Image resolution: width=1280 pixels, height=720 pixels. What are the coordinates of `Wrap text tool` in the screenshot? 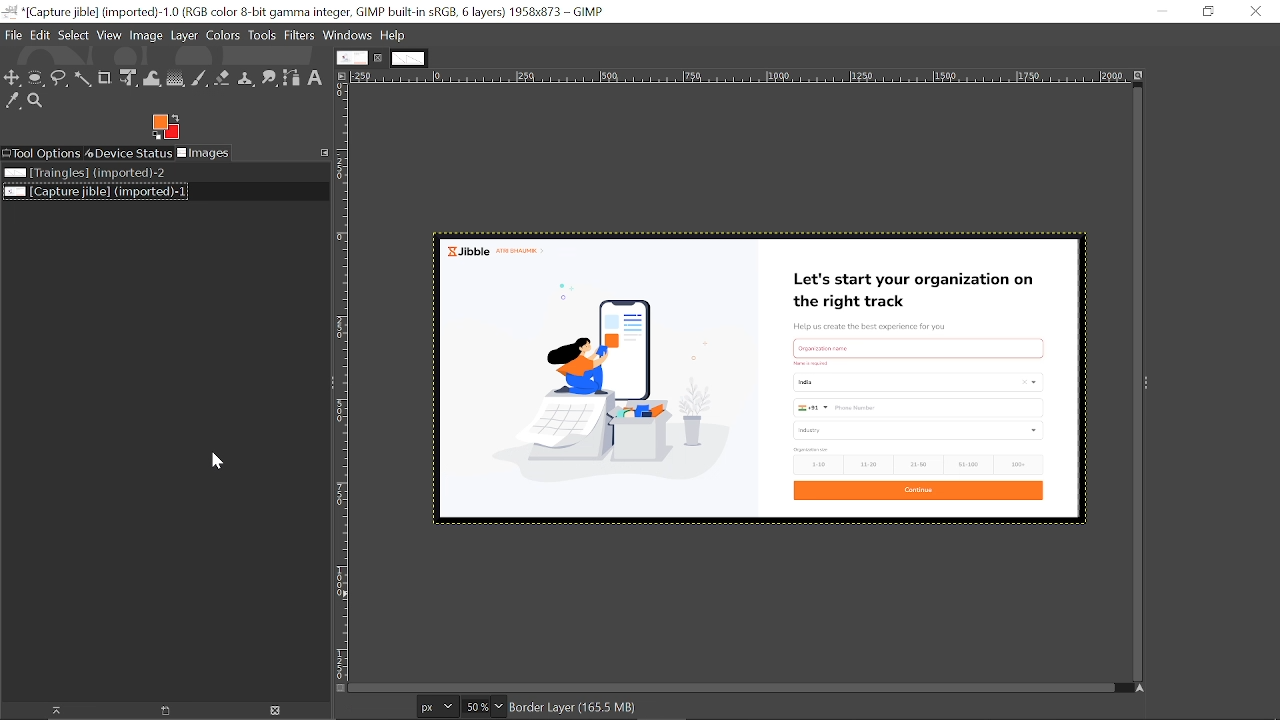 It's located at (152, 78).